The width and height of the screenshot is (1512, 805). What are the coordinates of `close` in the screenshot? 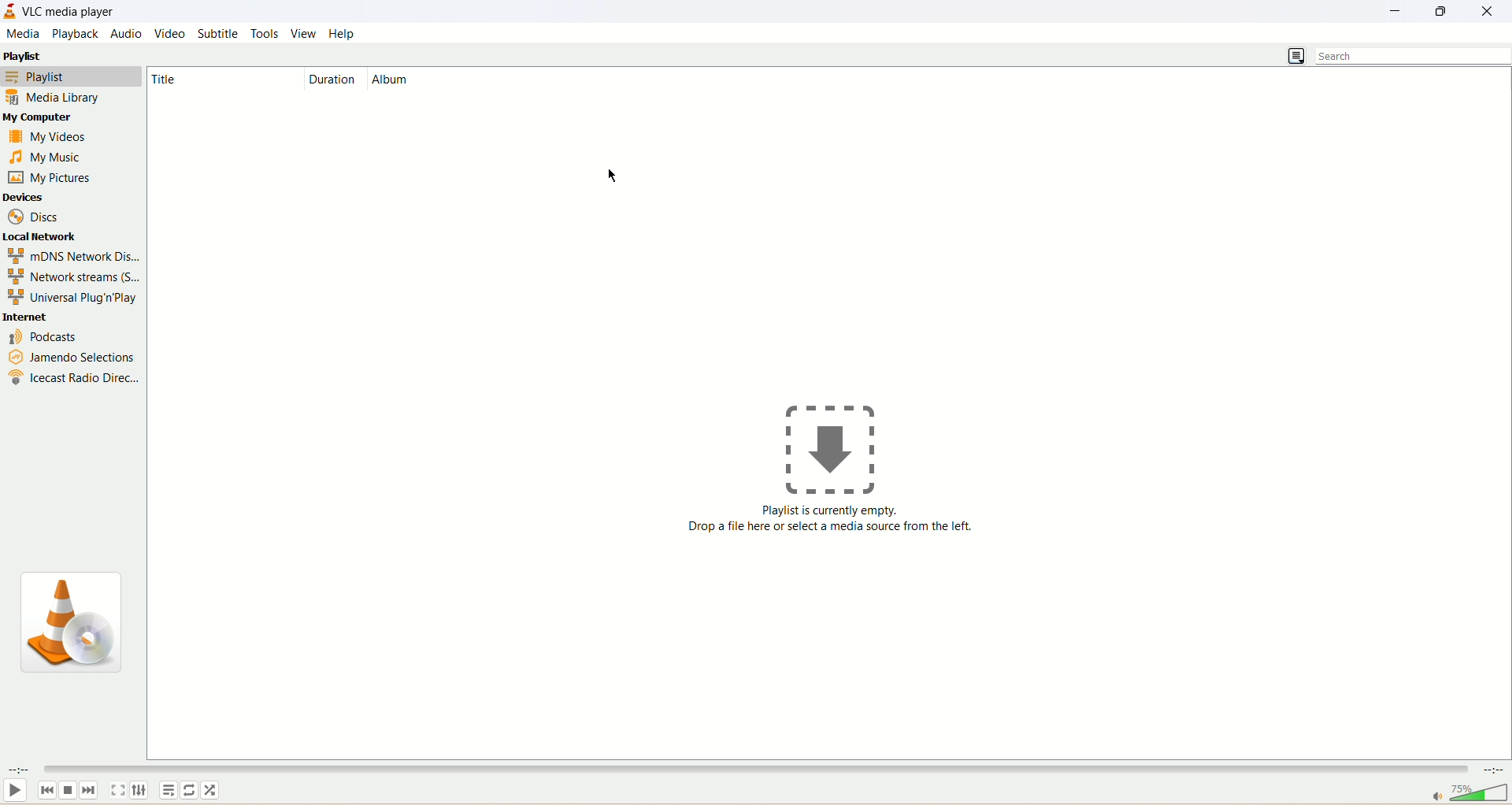 It's located at (1488, 14).